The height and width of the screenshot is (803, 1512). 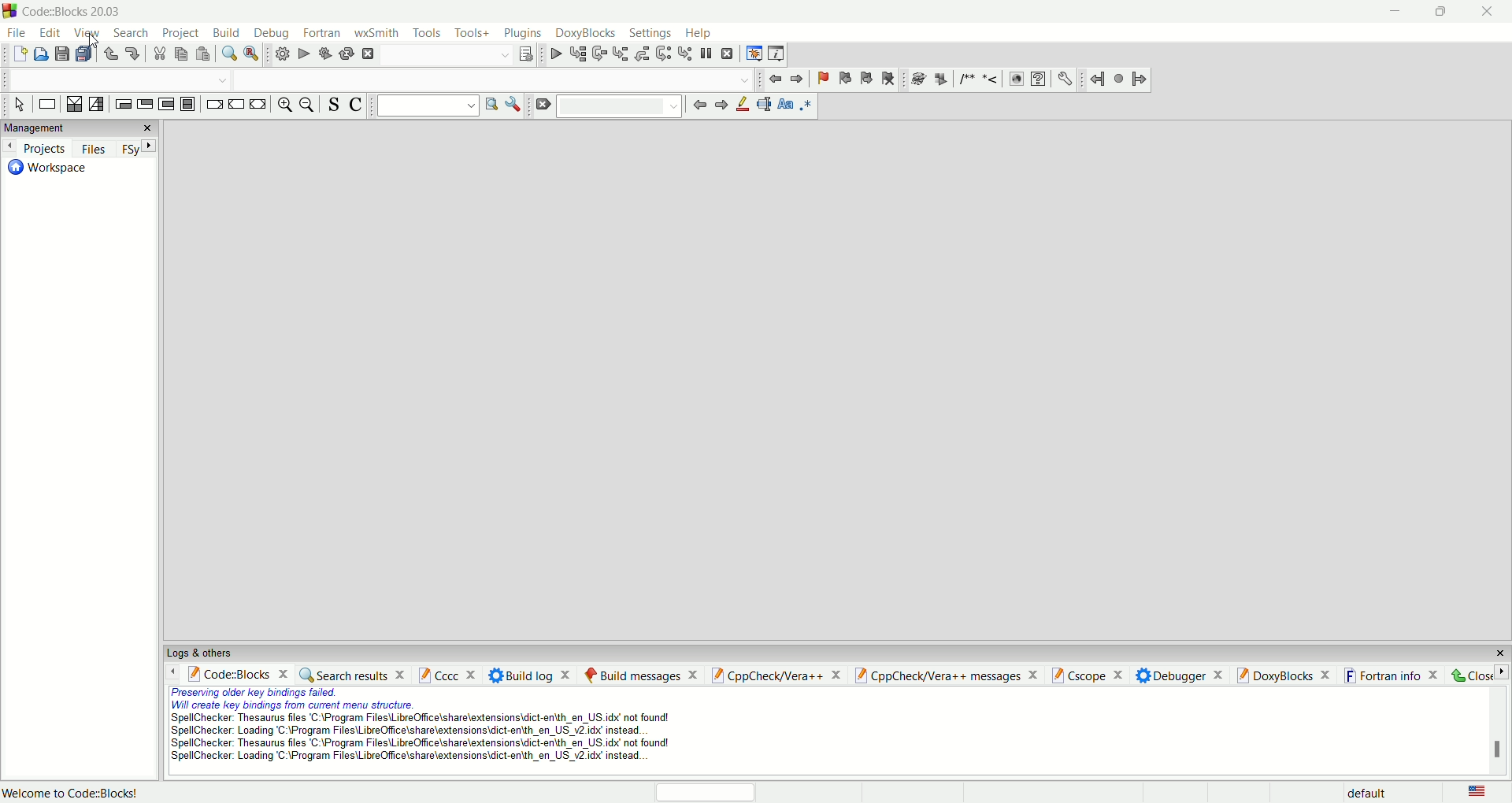 I want to click on clear, so click(x=544, y=105).